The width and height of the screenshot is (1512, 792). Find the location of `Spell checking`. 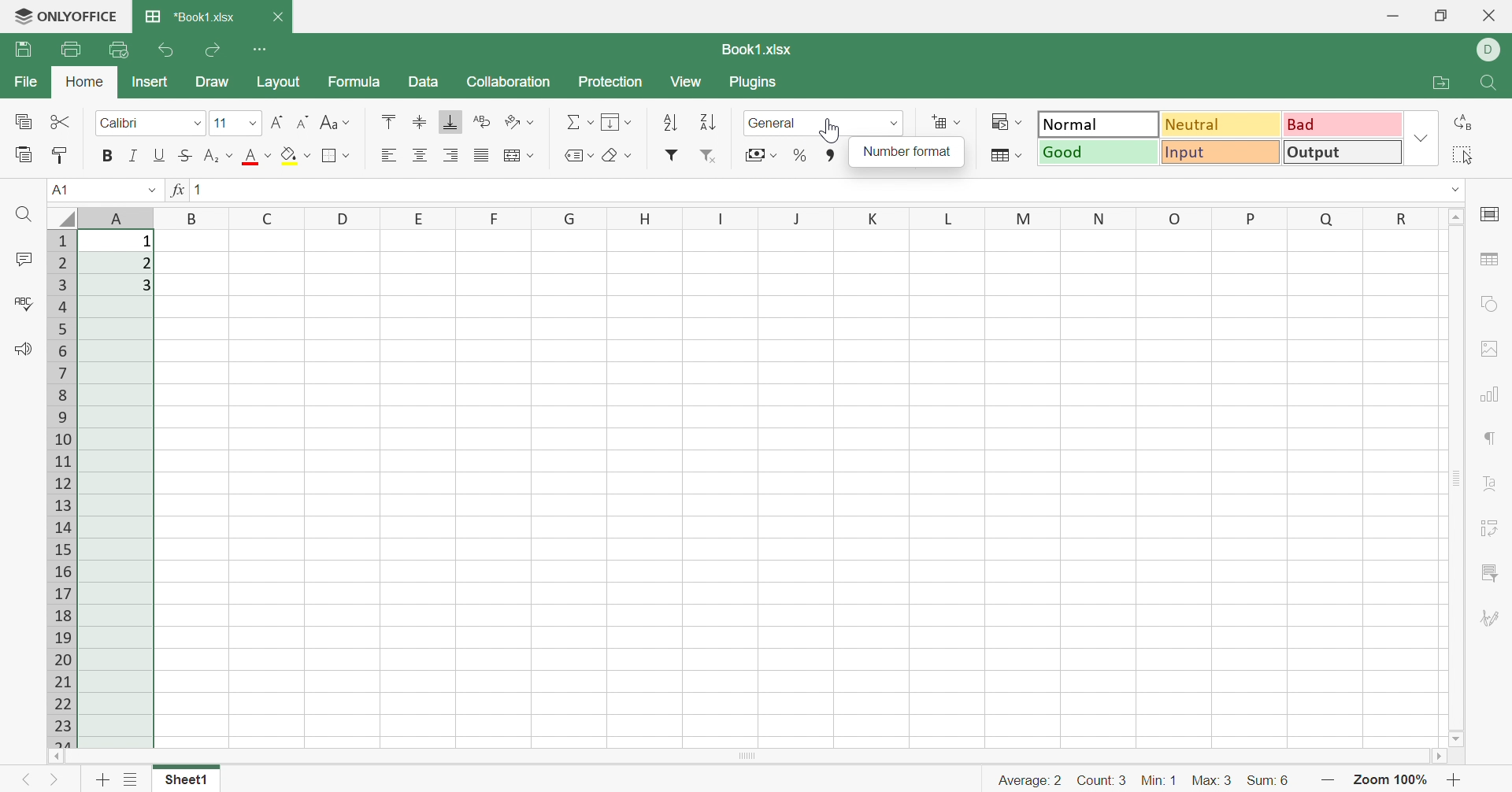

Spell checking is located at coordinates (24, 301).